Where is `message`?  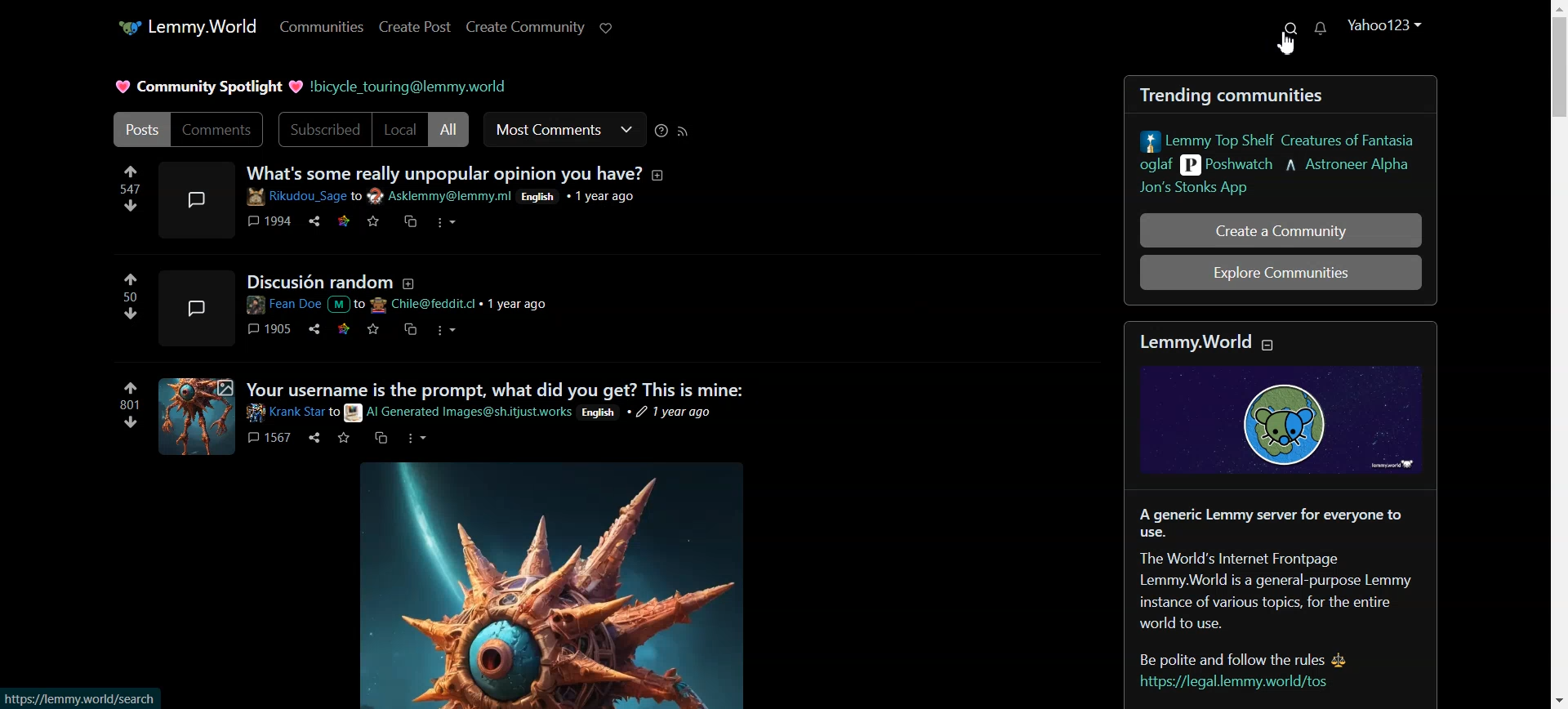
message is located at coordinates (408, 221).